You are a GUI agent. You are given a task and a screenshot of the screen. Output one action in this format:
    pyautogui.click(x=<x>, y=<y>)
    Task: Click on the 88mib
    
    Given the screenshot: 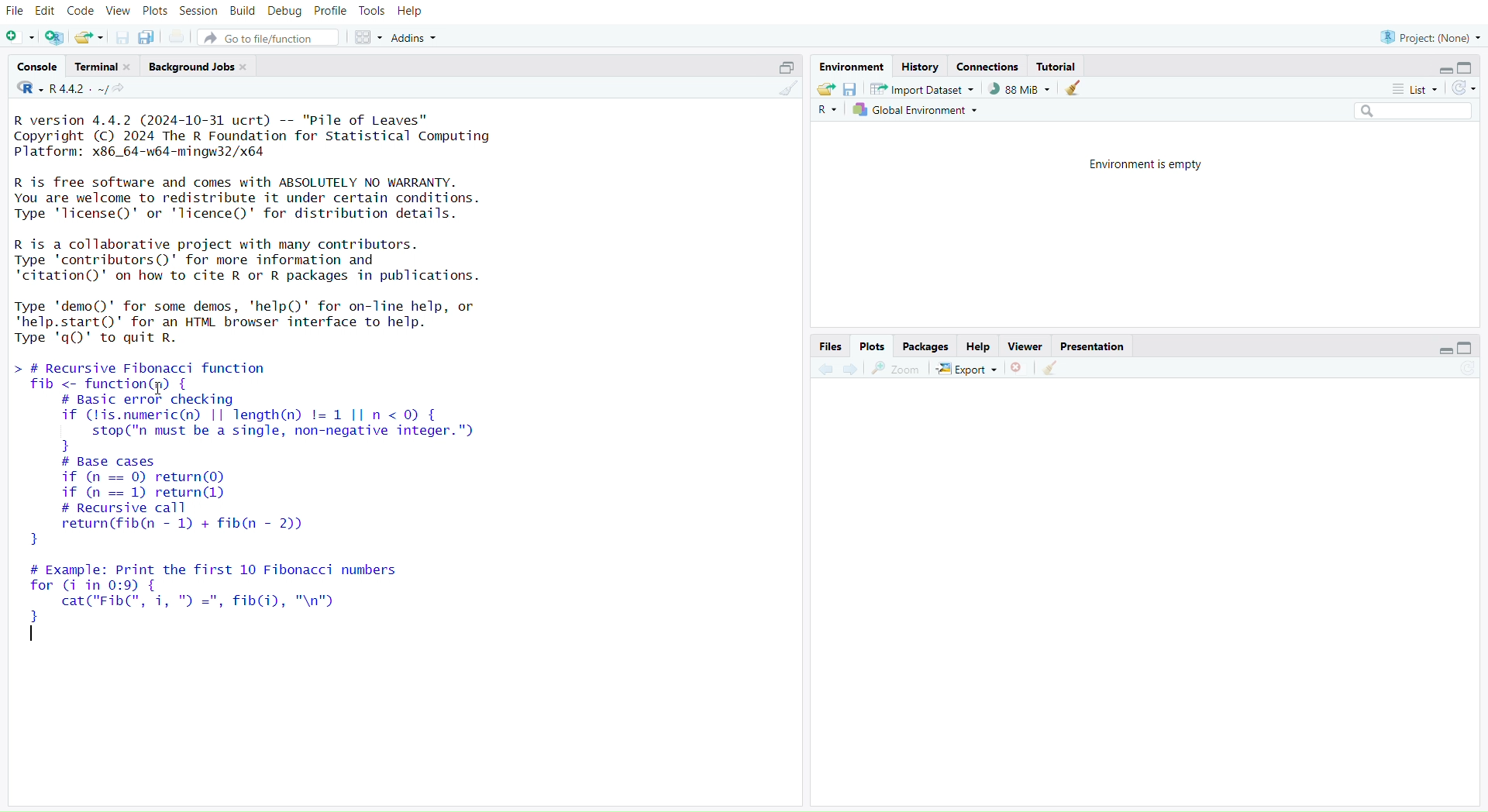 What is the action you would take?
    pyautogui.click(x=1020, y=89)
    